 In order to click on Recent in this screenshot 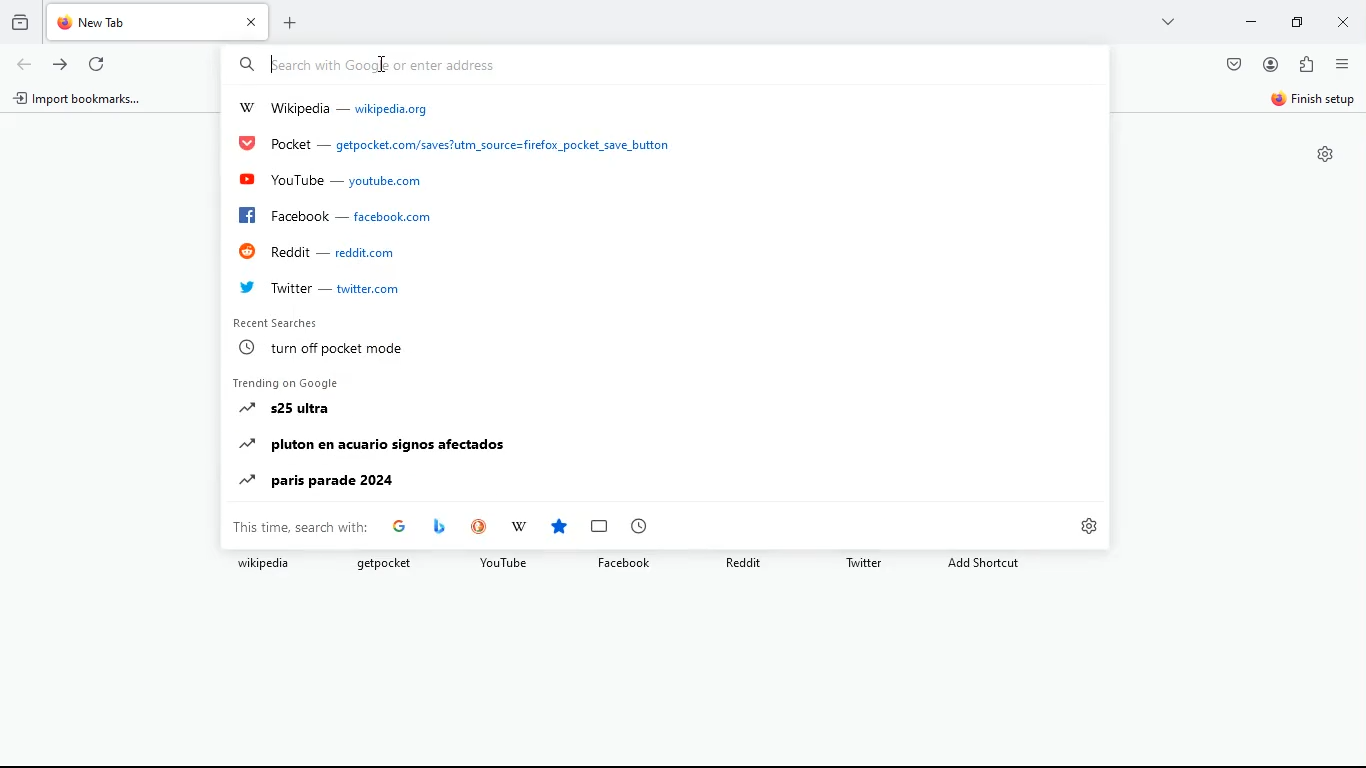, I will do `click(639, 524)`.